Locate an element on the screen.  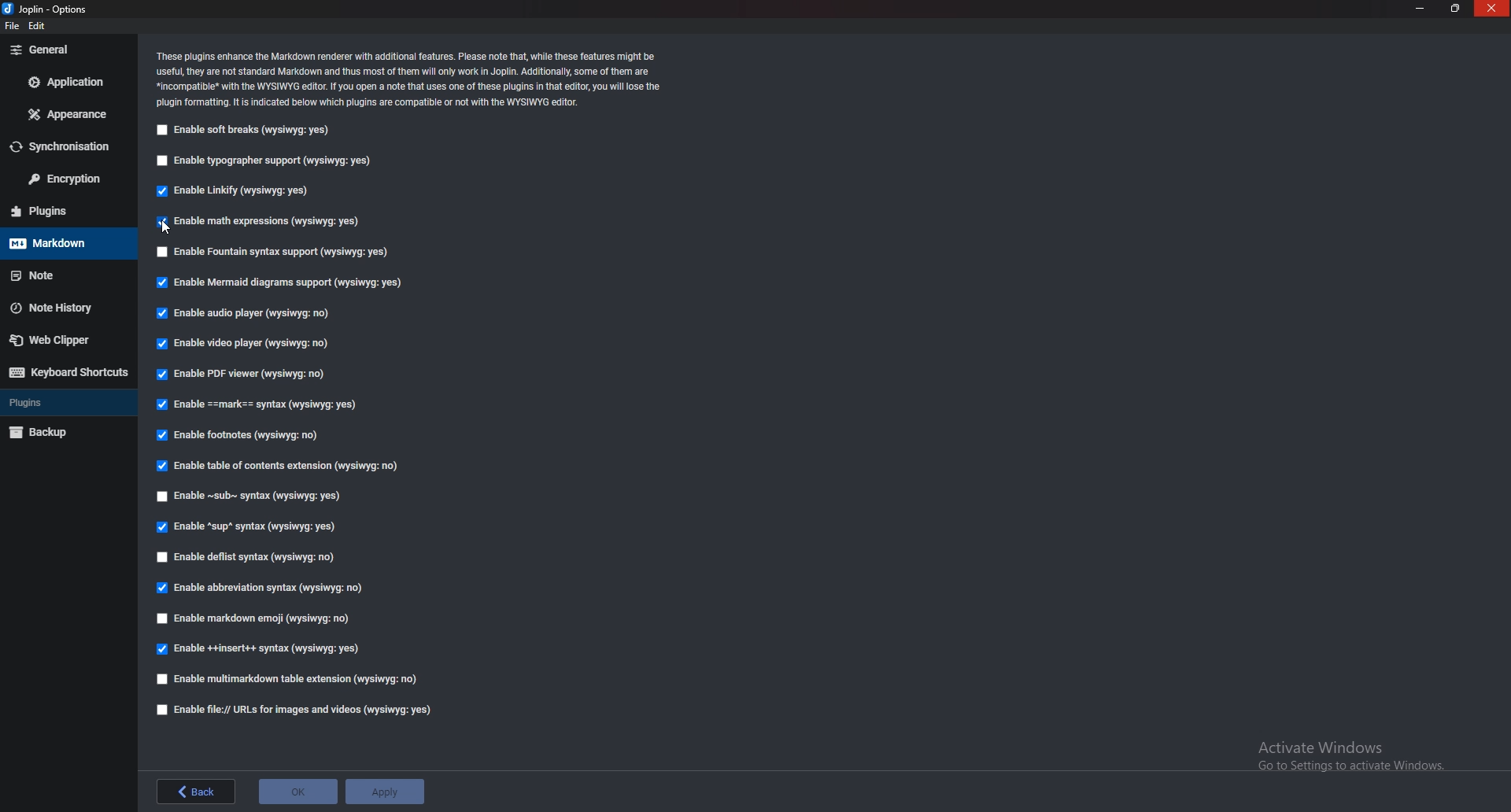
appearance is located at coordinates (71, 113).